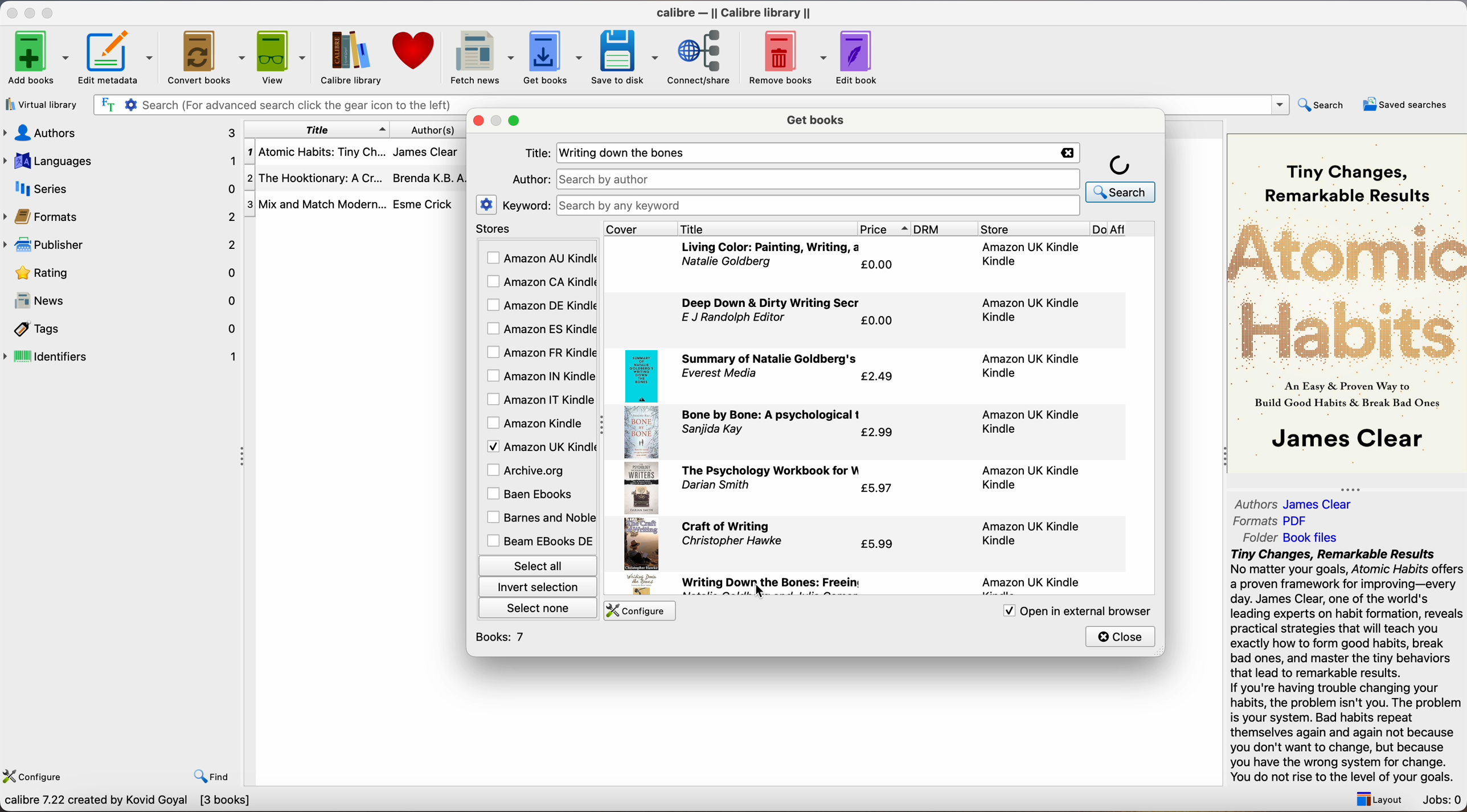  What do you see at coordinates (719, 374) in the screenshot?
I see `everest media` at bounding box center [719, 374].